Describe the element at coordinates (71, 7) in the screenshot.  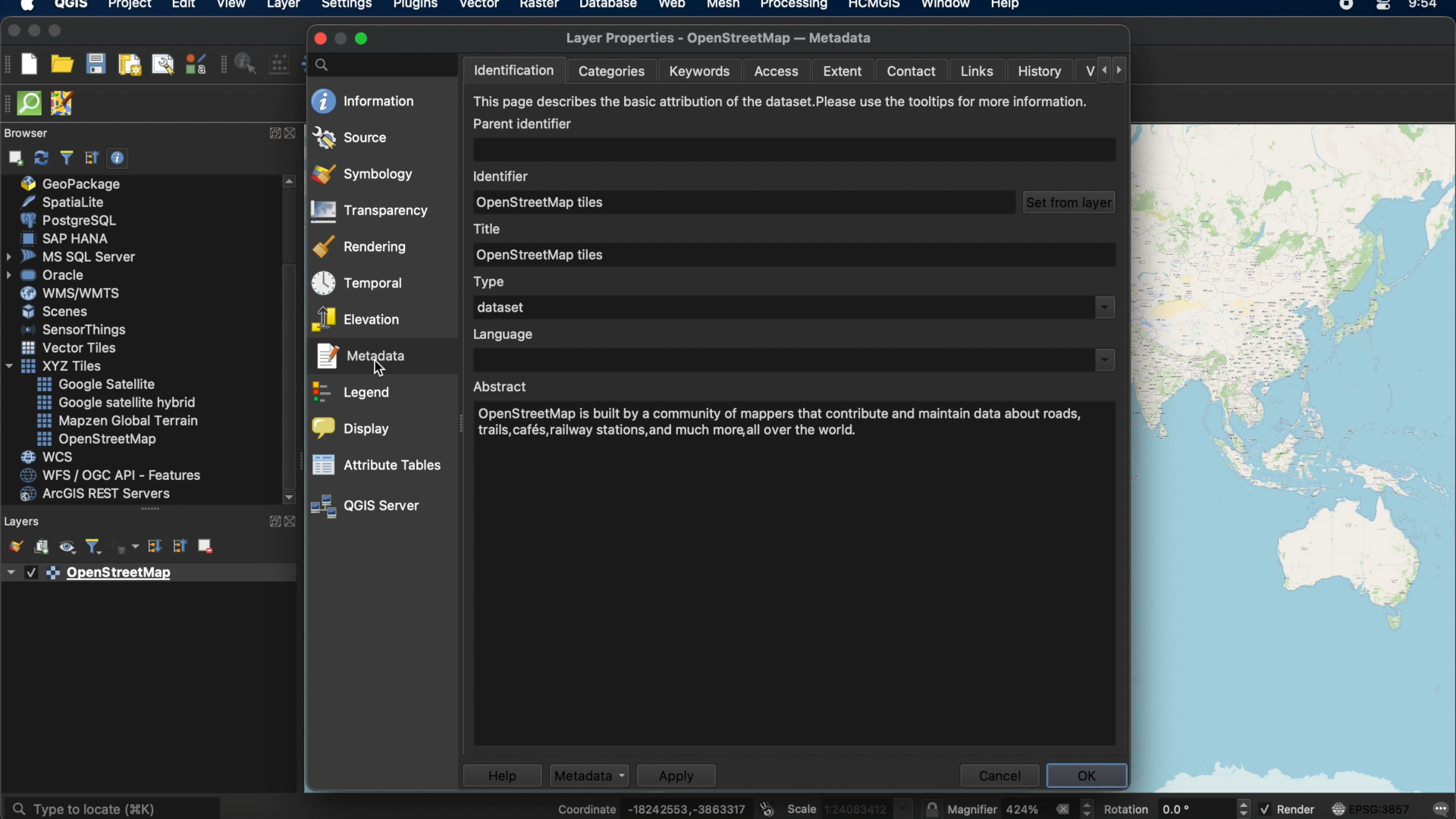
I see `QGIS` at that location.